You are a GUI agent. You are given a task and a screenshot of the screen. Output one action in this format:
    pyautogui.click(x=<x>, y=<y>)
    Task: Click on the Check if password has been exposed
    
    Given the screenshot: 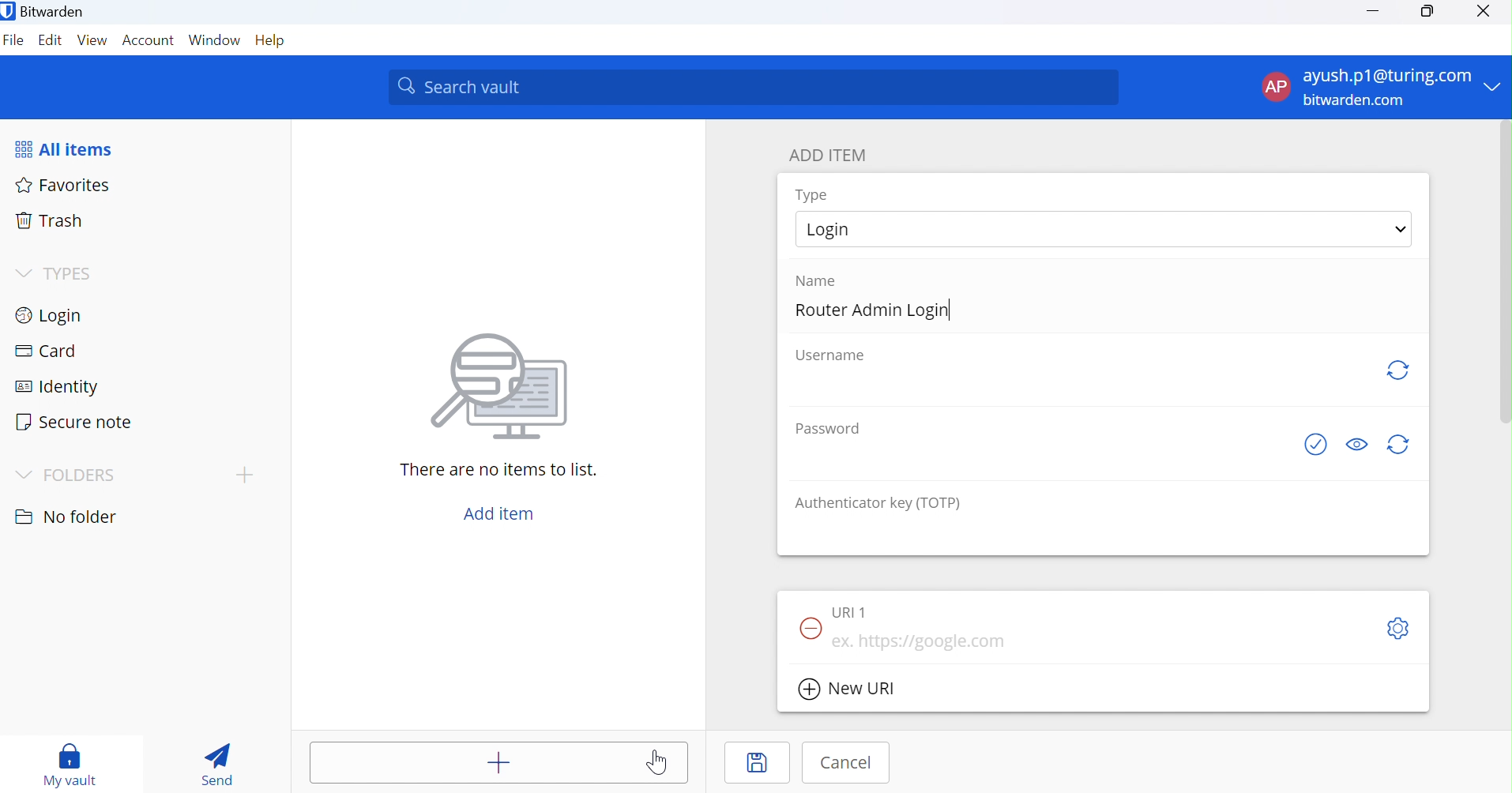 What is the action you would take?
    pyautogui.click(x=1309, y=445)
    